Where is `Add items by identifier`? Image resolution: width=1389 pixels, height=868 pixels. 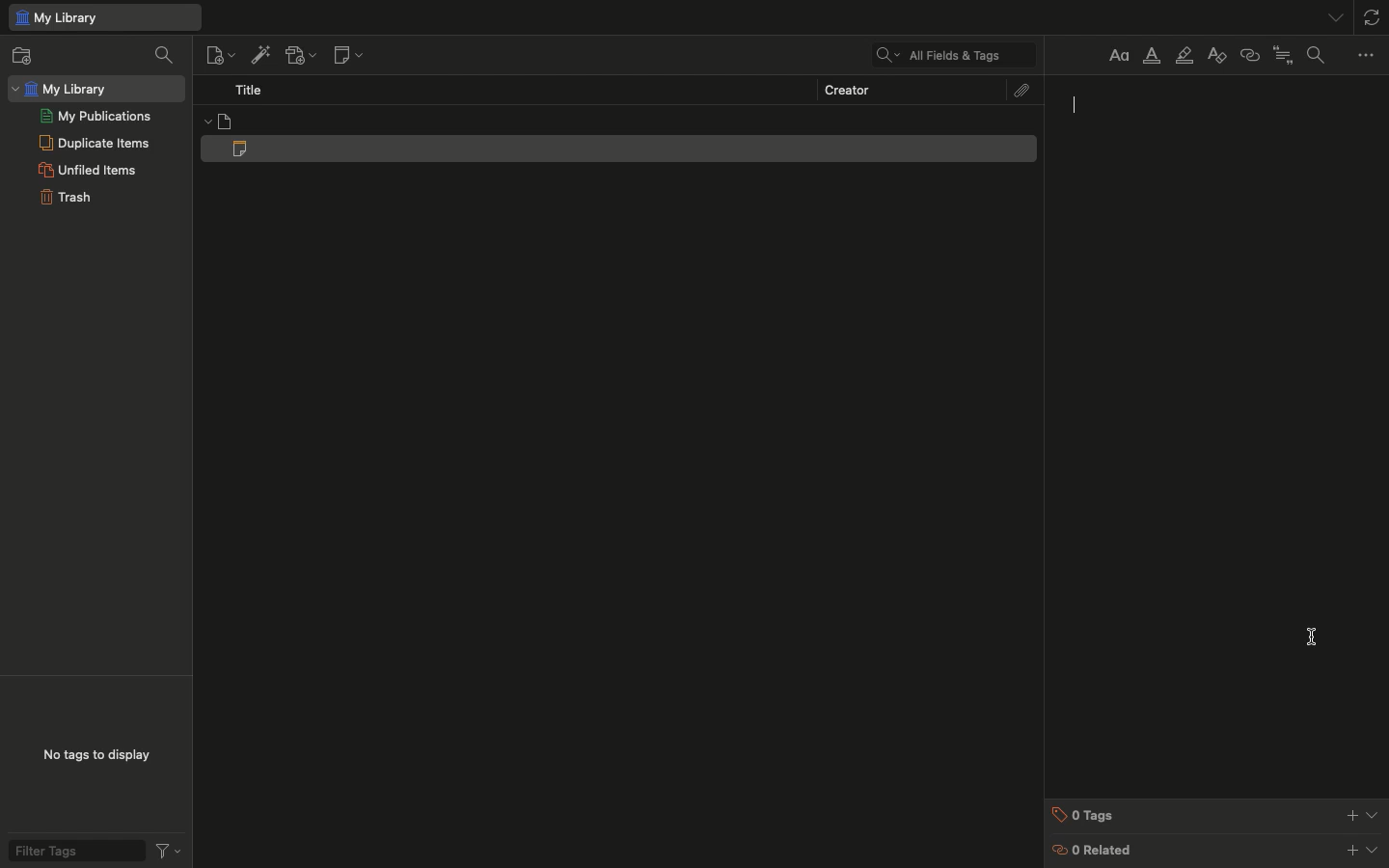 Add items by identifier is located at coordinates (259, 55).